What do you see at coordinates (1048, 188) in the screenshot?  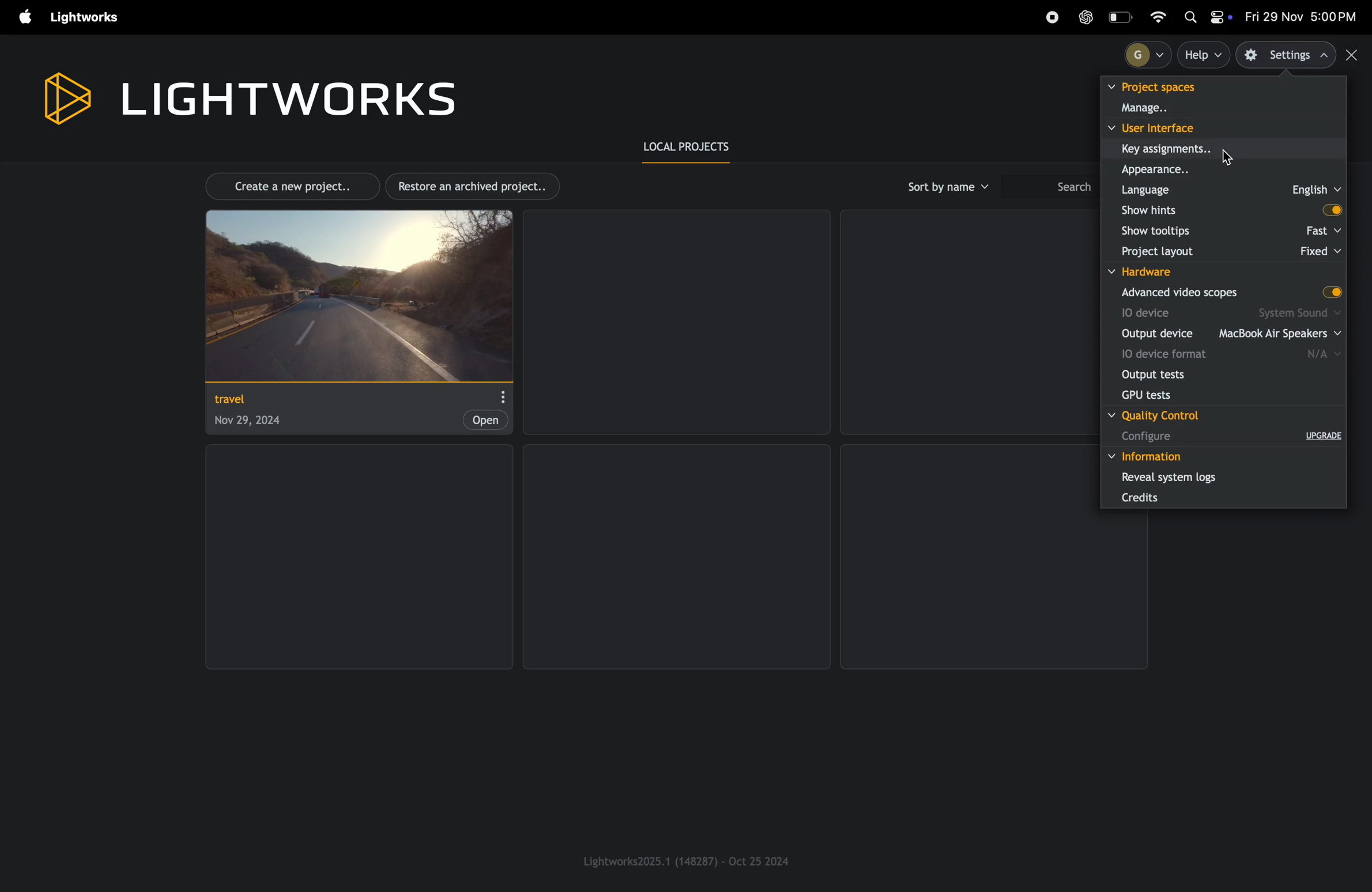 I see `search` at bounding box center [1048, 188].